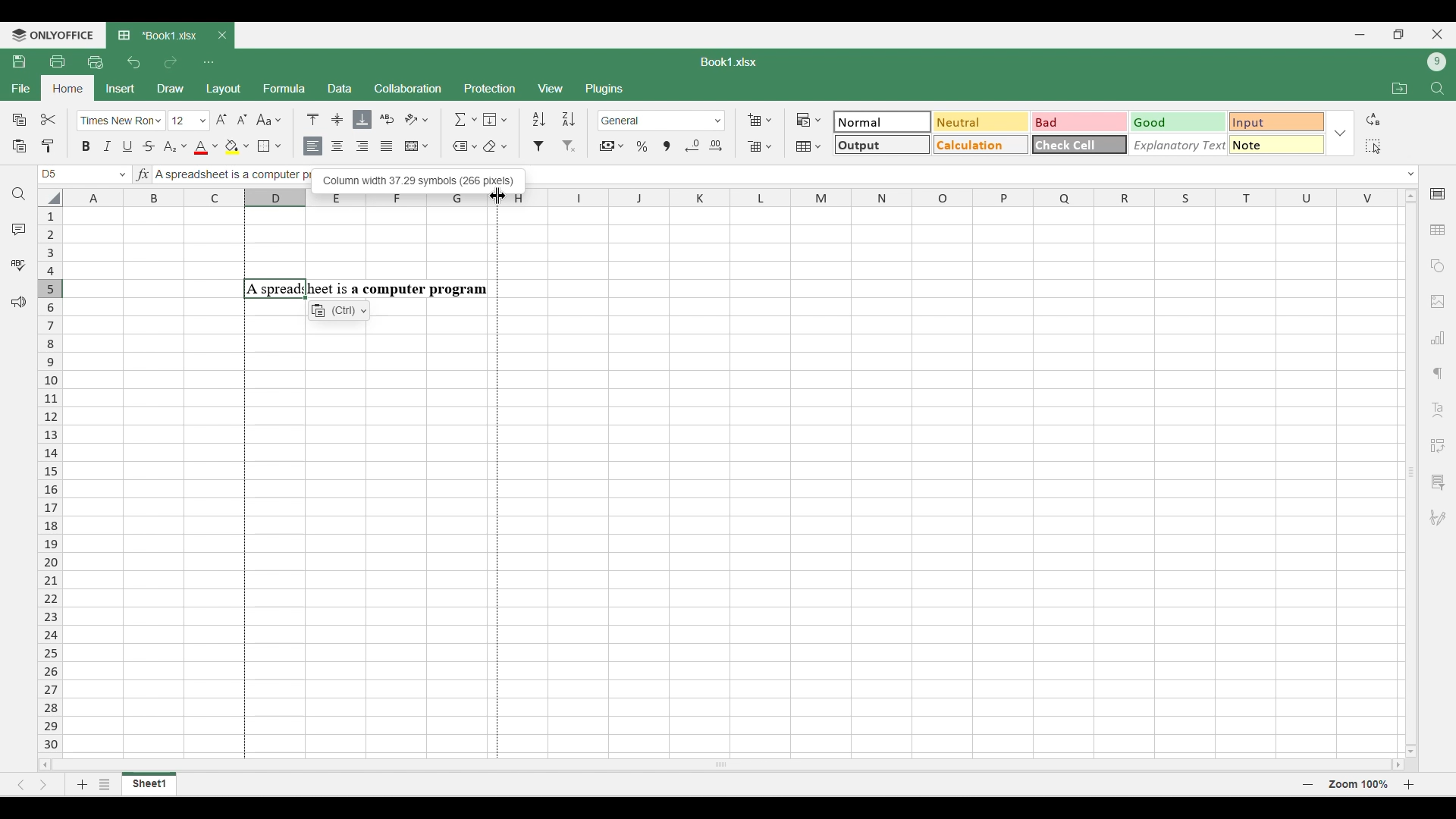  What do you see at coordinates (18, 61) in the screenshot?
I see `Save` at bounding box center [18, 61].